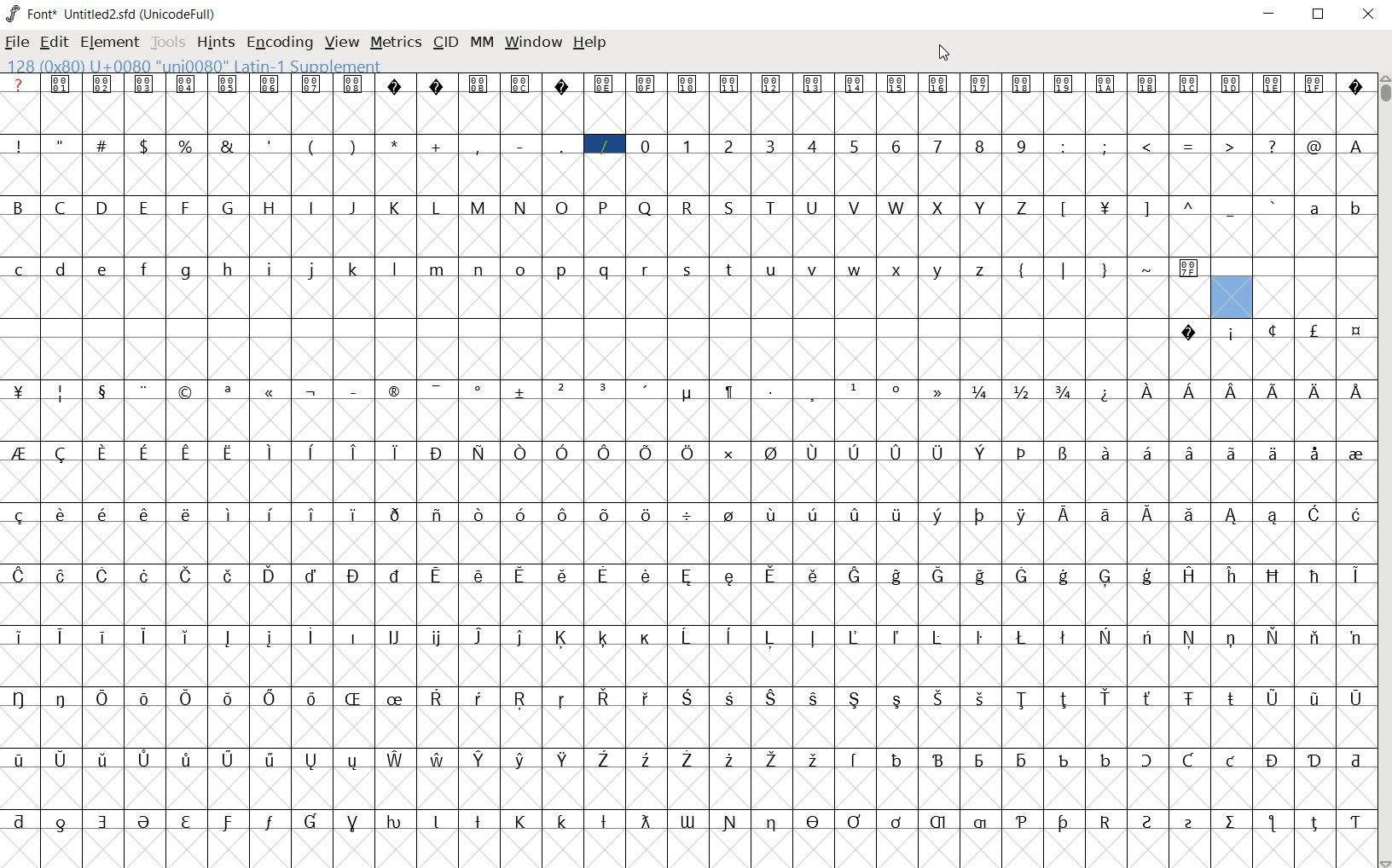  I want to click on glyph, so click(605, 454).